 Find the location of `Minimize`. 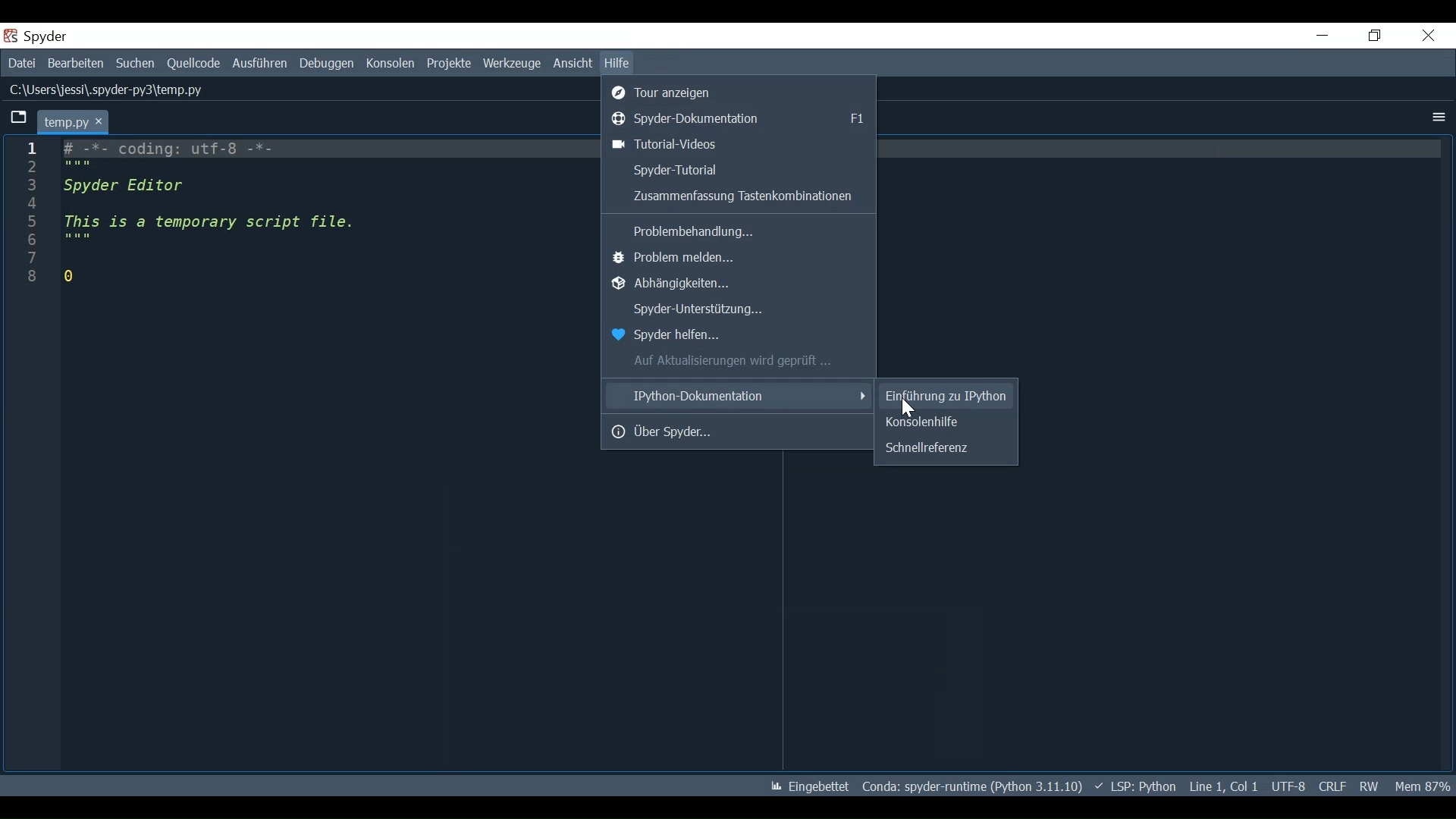

Minimize is located at coordinates (1323, 35).